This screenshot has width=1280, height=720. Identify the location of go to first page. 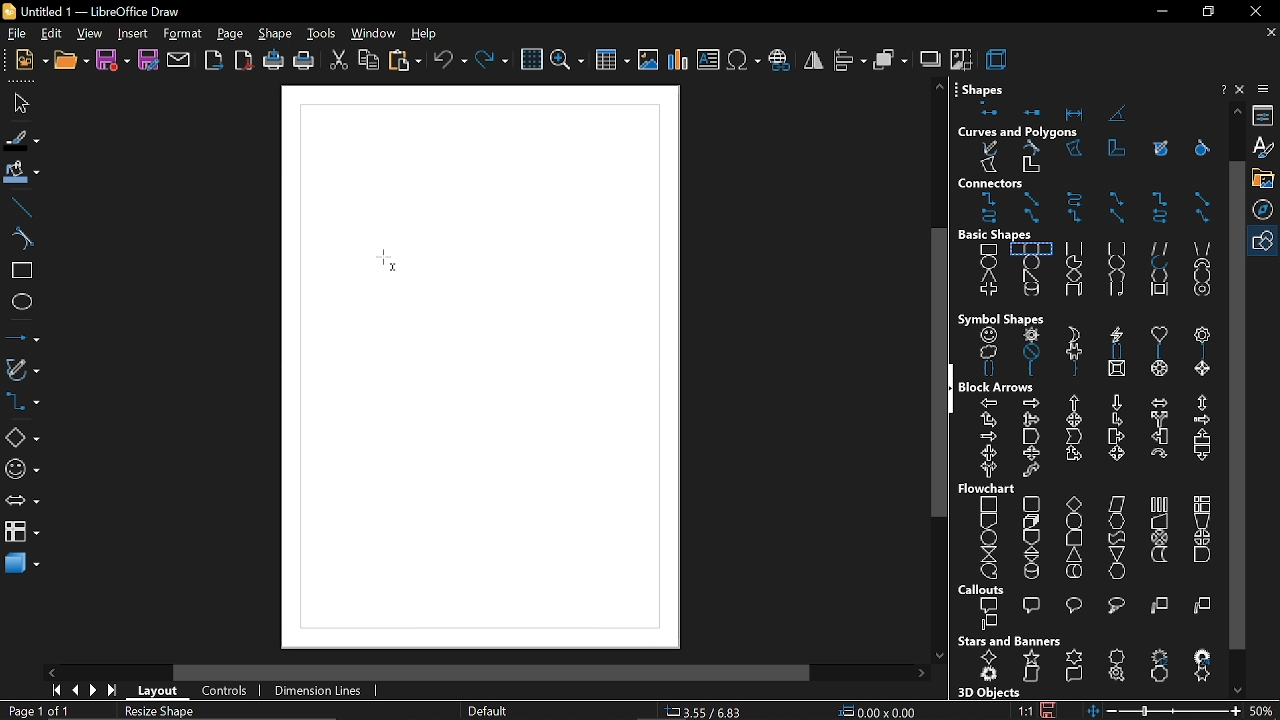
(53, 690).